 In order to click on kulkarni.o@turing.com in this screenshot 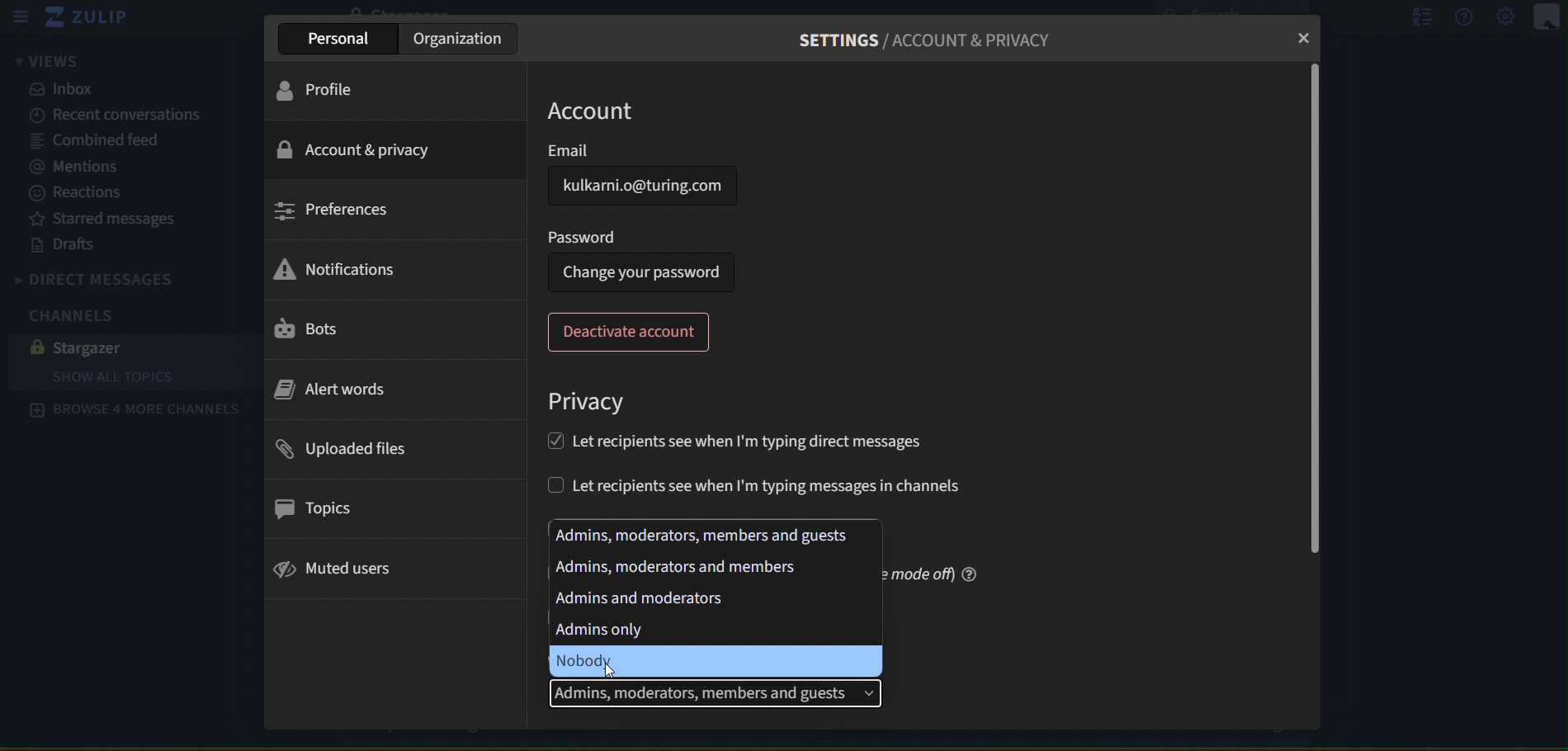, I will do `click(642, 186)`.